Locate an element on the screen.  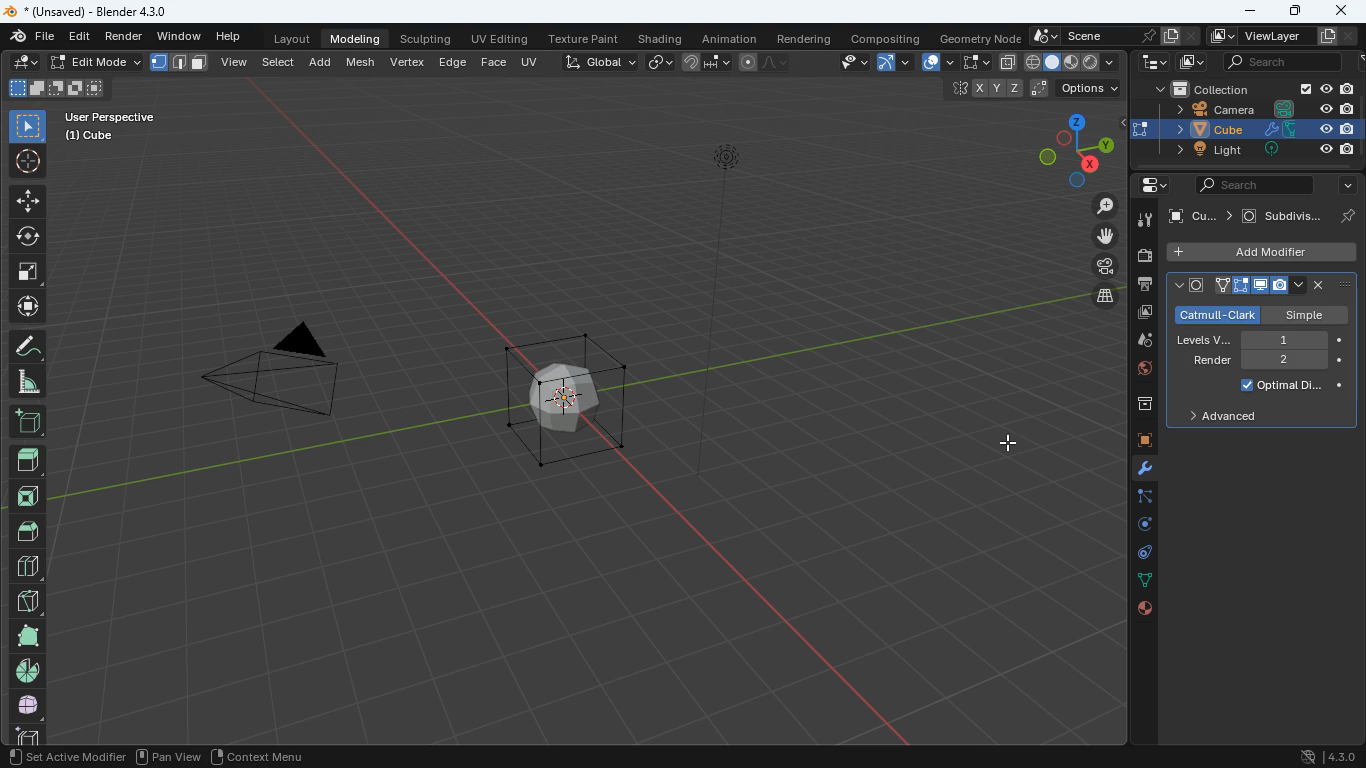
search is located at coordinates (1247, 187).